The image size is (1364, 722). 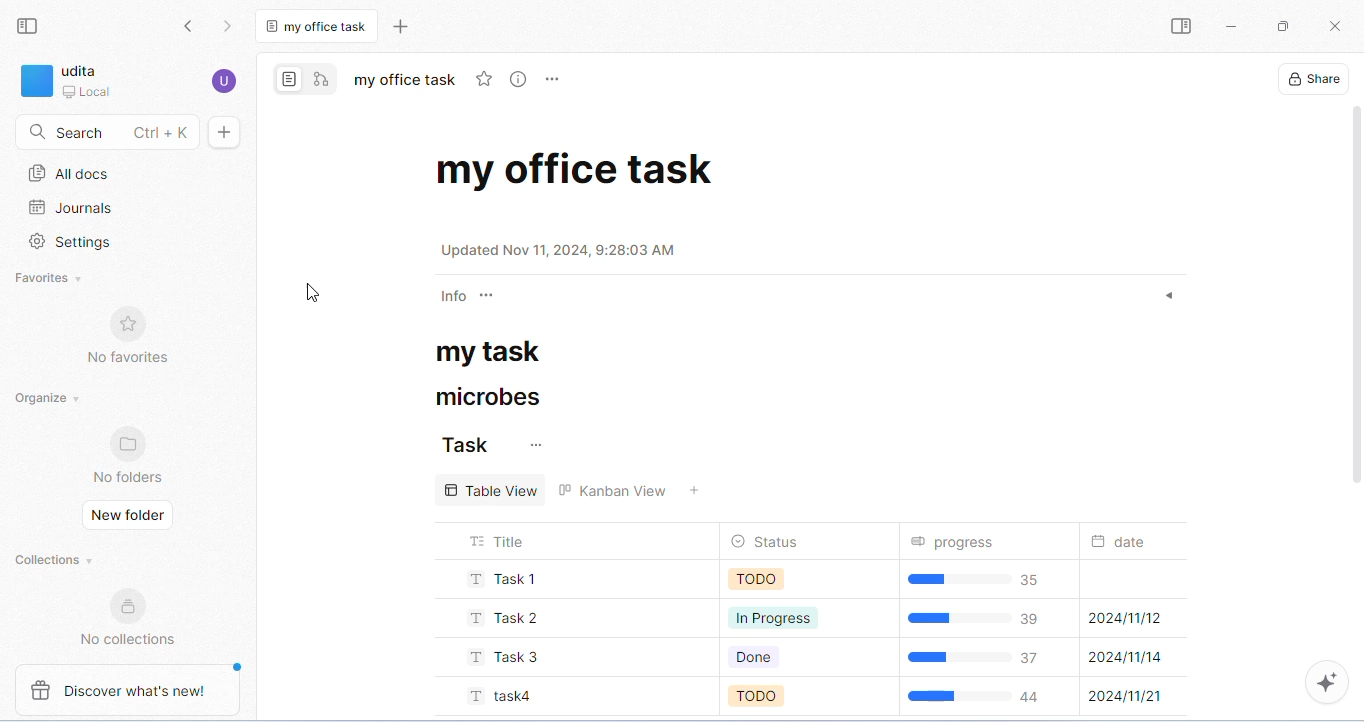 What do you see at coordinates (490, 297) in the screenshot?
I see `customize property` at bounding box center [490, 297].